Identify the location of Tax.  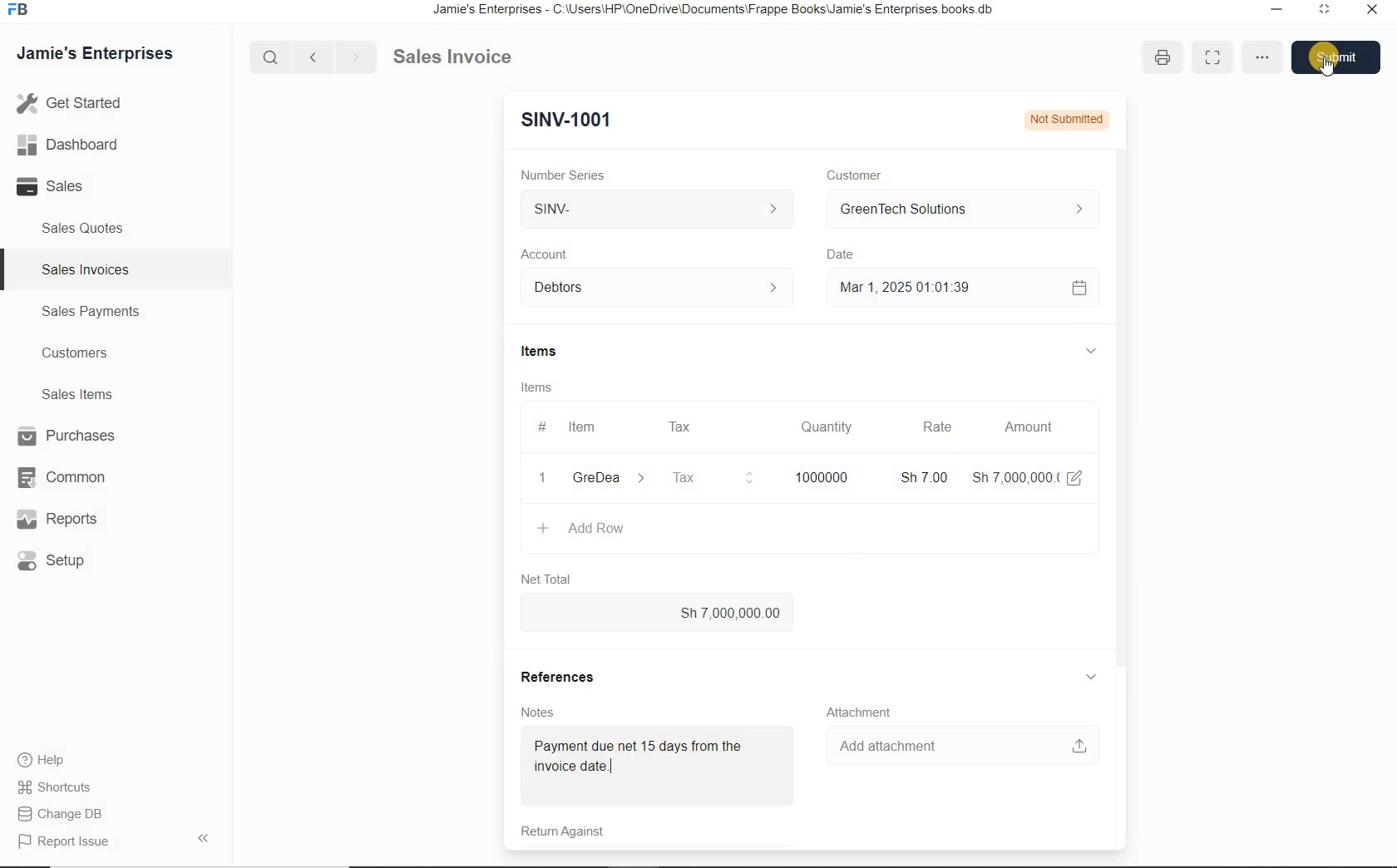
(711, 476).